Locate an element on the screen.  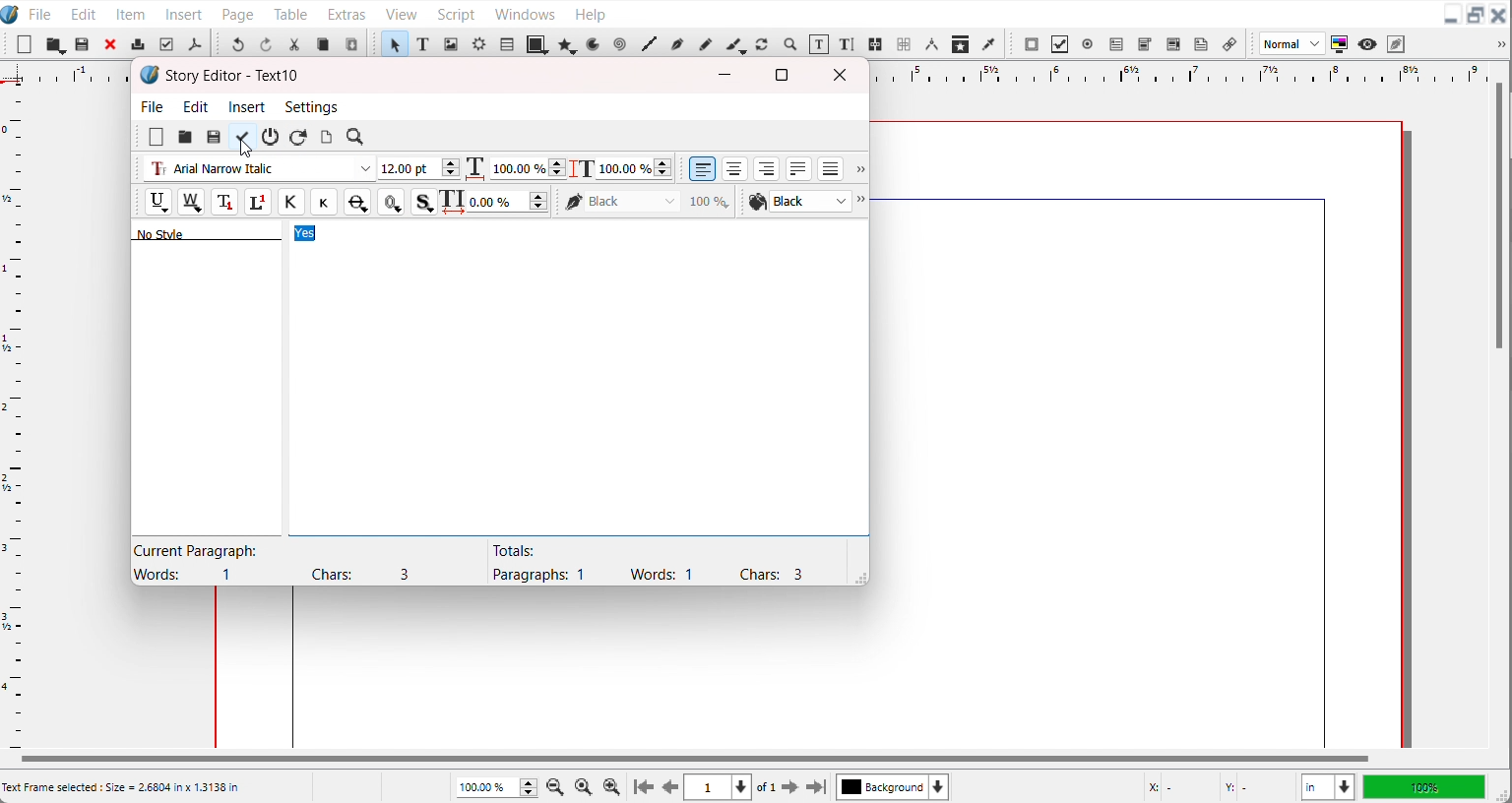
Outline is located at coordinates (391, 202).